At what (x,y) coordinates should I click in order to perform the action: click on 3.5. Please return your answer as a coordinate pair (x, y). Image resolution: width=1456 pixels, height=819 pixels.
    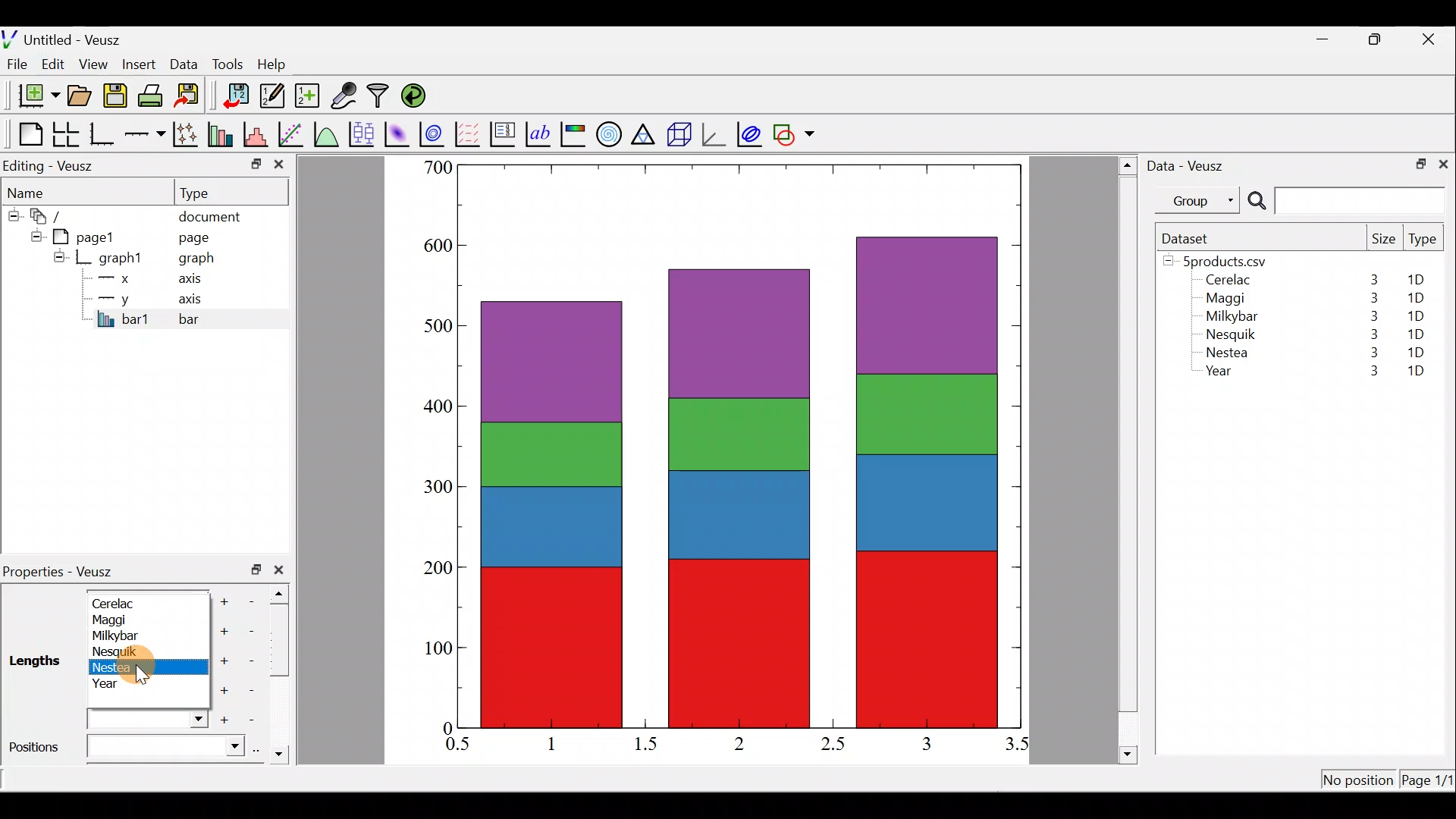
    Looking at the image, I should click on (1018, 747).